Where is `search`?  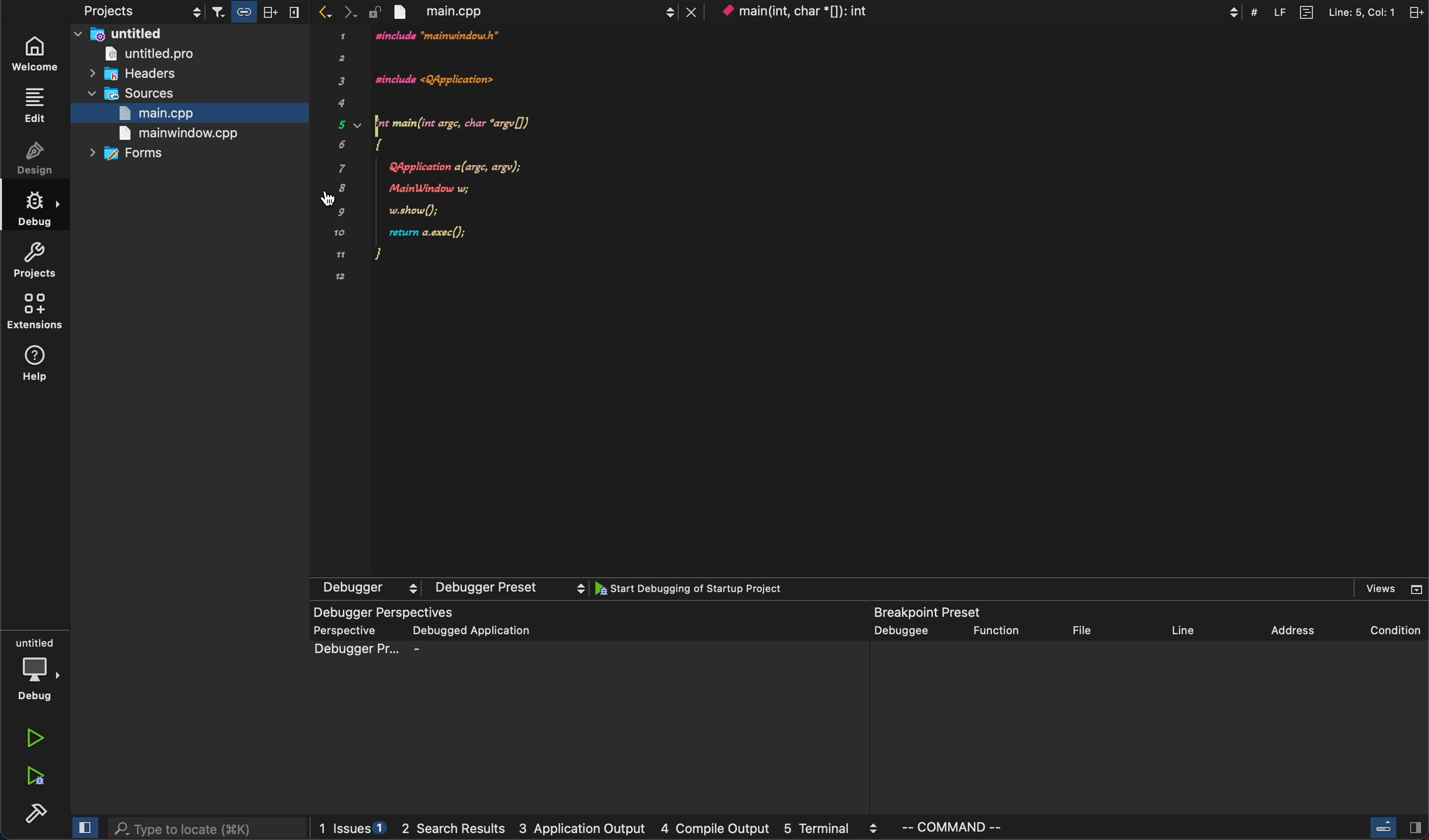 search is located at coordinates (206, 826).